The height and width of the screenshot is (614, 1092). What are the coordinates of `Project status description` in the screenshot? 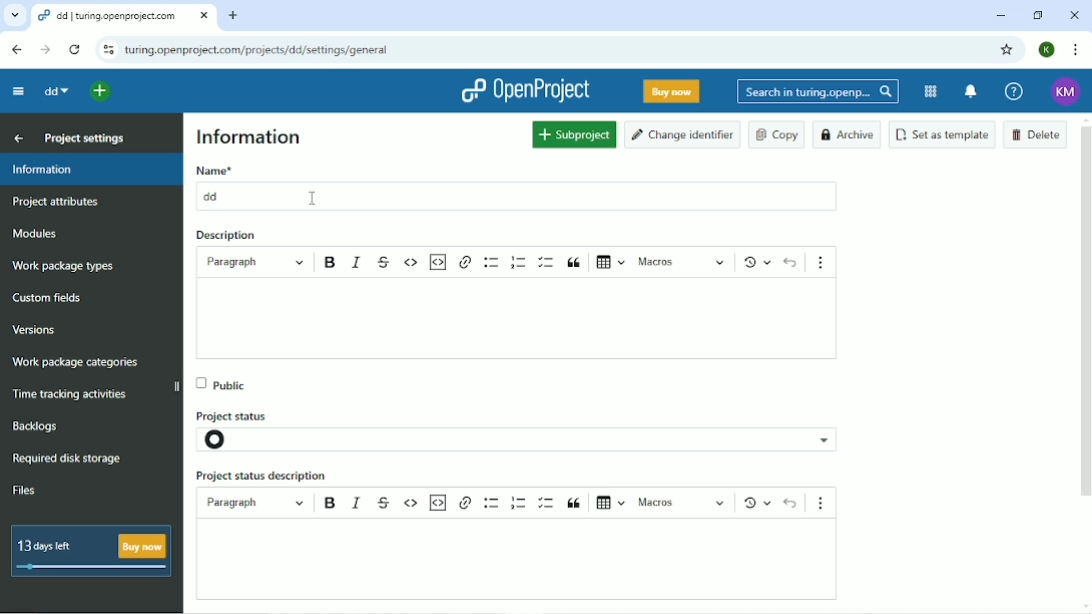 It's located at (263, 476).